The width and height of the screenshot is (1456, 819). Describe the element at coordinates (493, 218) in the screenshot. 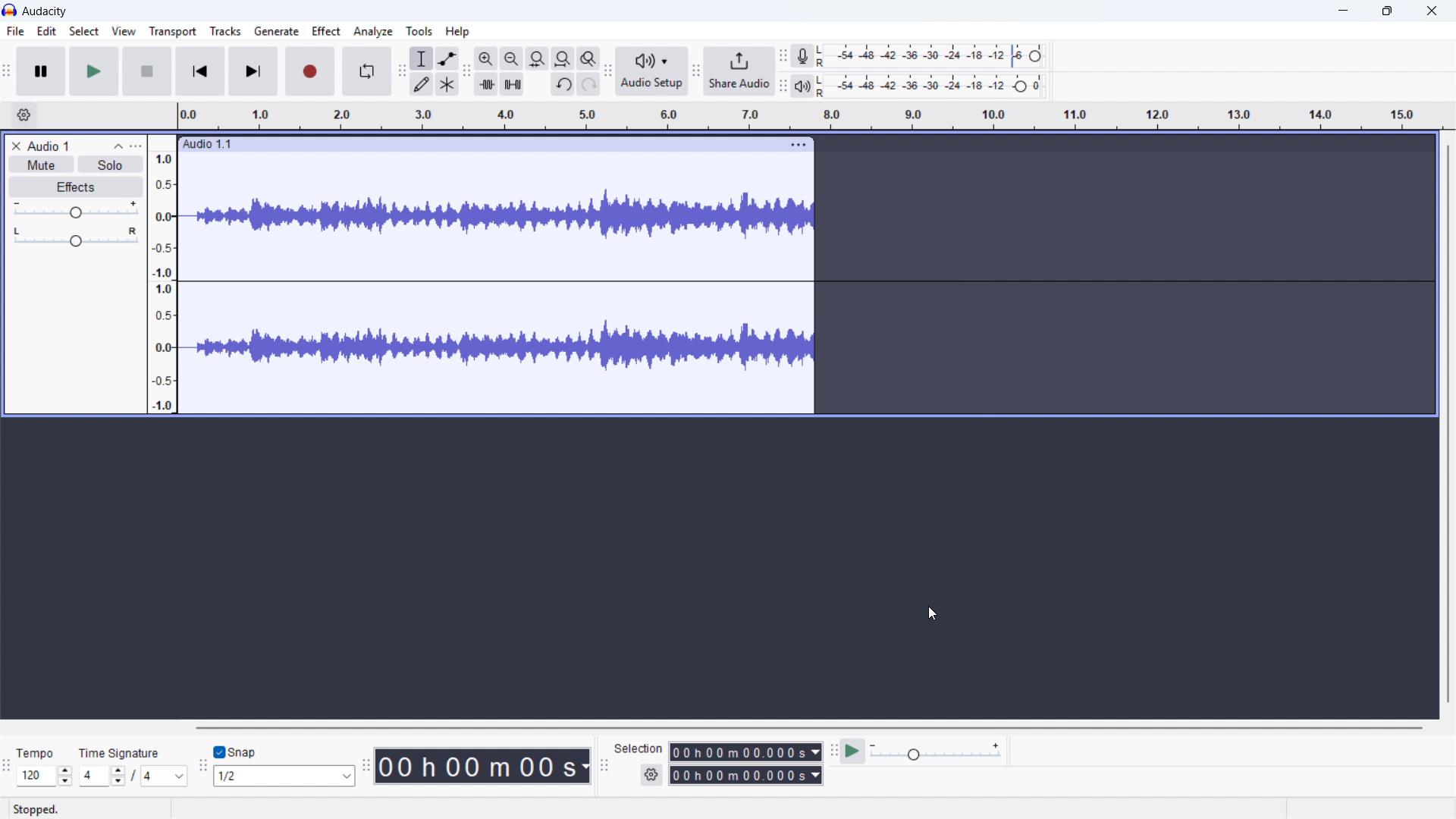

I see `Track waveform` at that location.